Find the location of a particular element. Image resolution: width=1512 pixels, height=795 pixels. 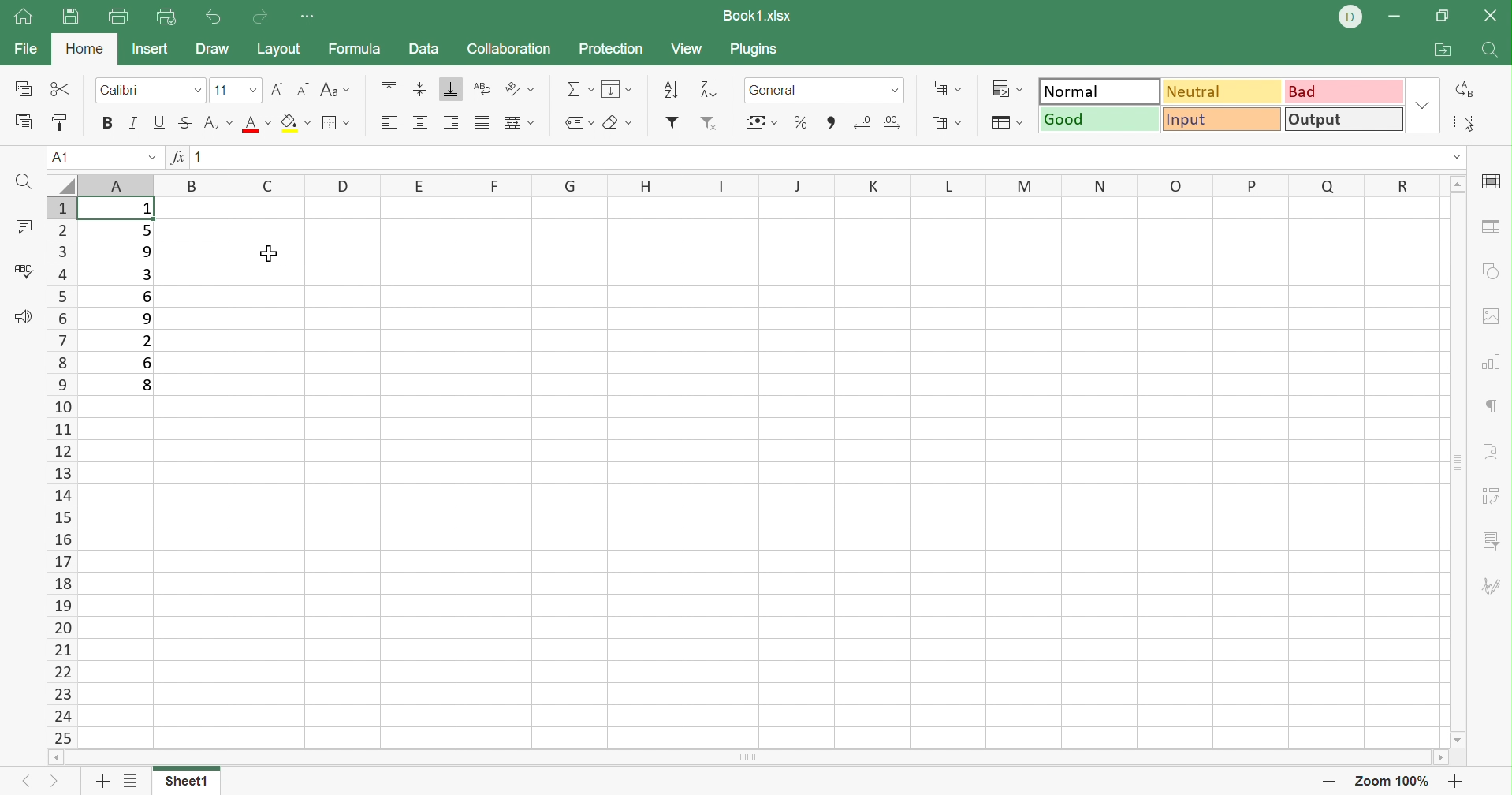

Output is located at coordinates (1343, 120).